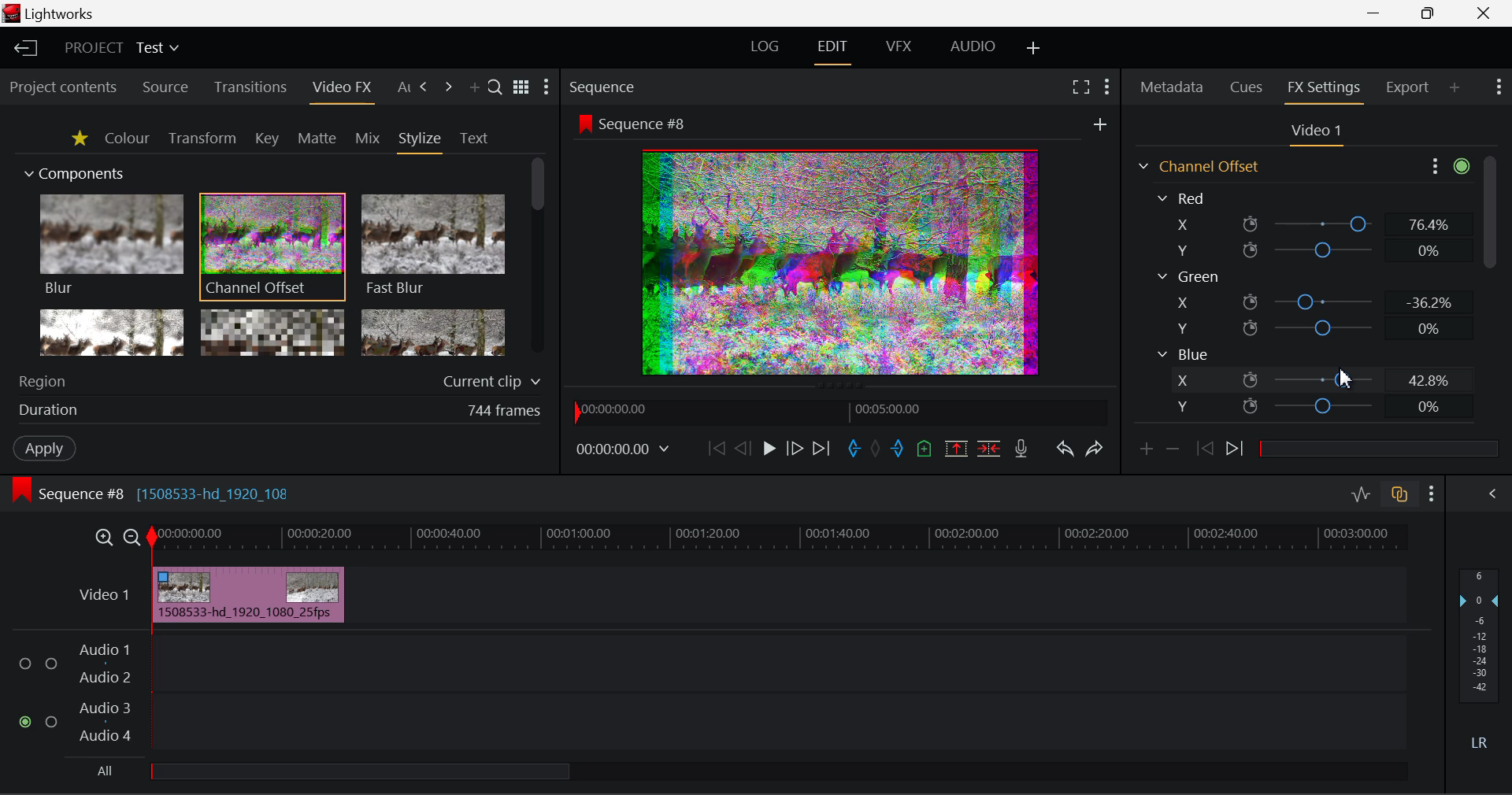 The image size is (1512, 795). I want to click on Frame Duration, so click(280, 412).